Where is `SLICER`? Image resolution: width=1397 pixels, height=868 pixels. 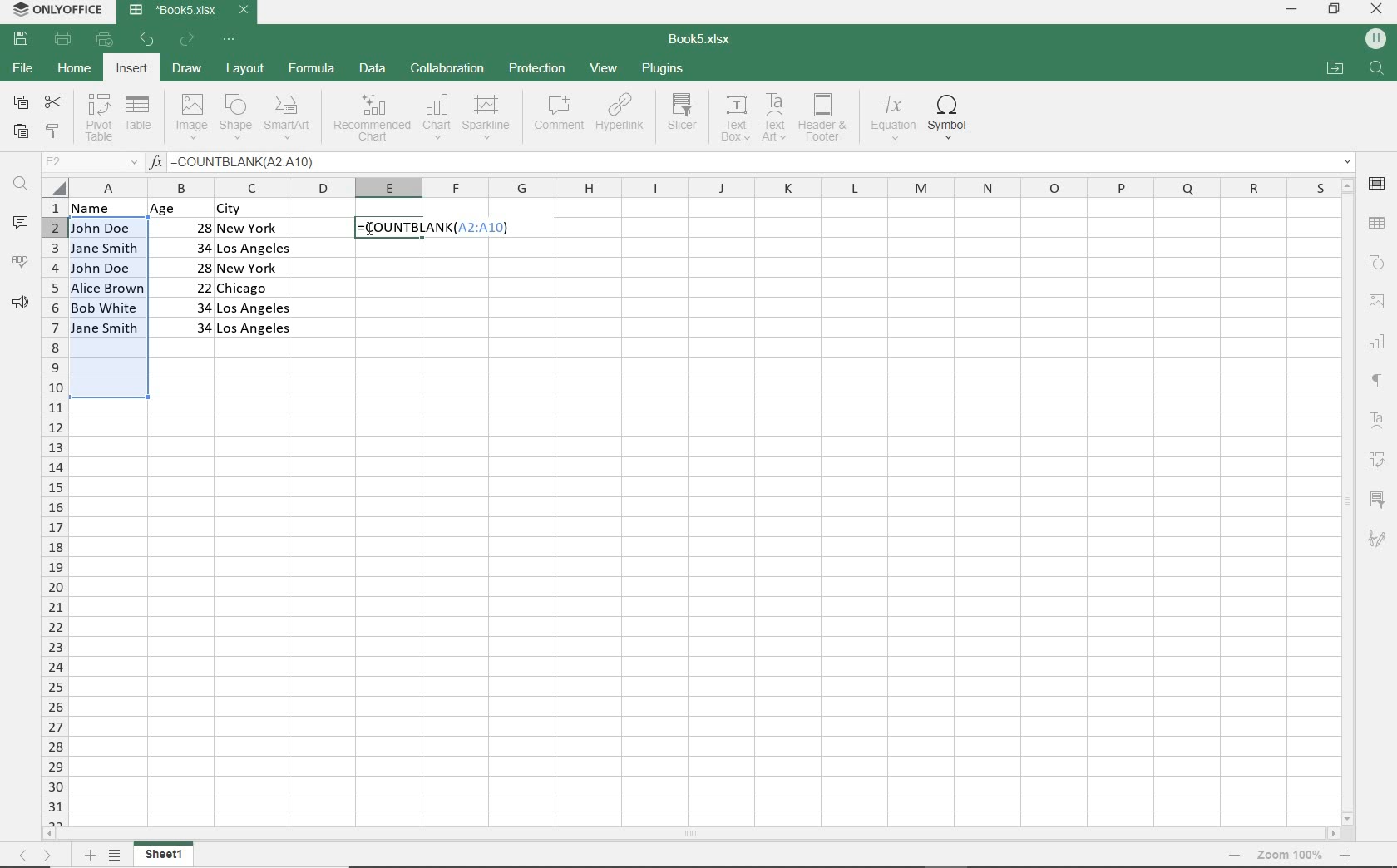 SLICER is located at coordinates (684, 119).